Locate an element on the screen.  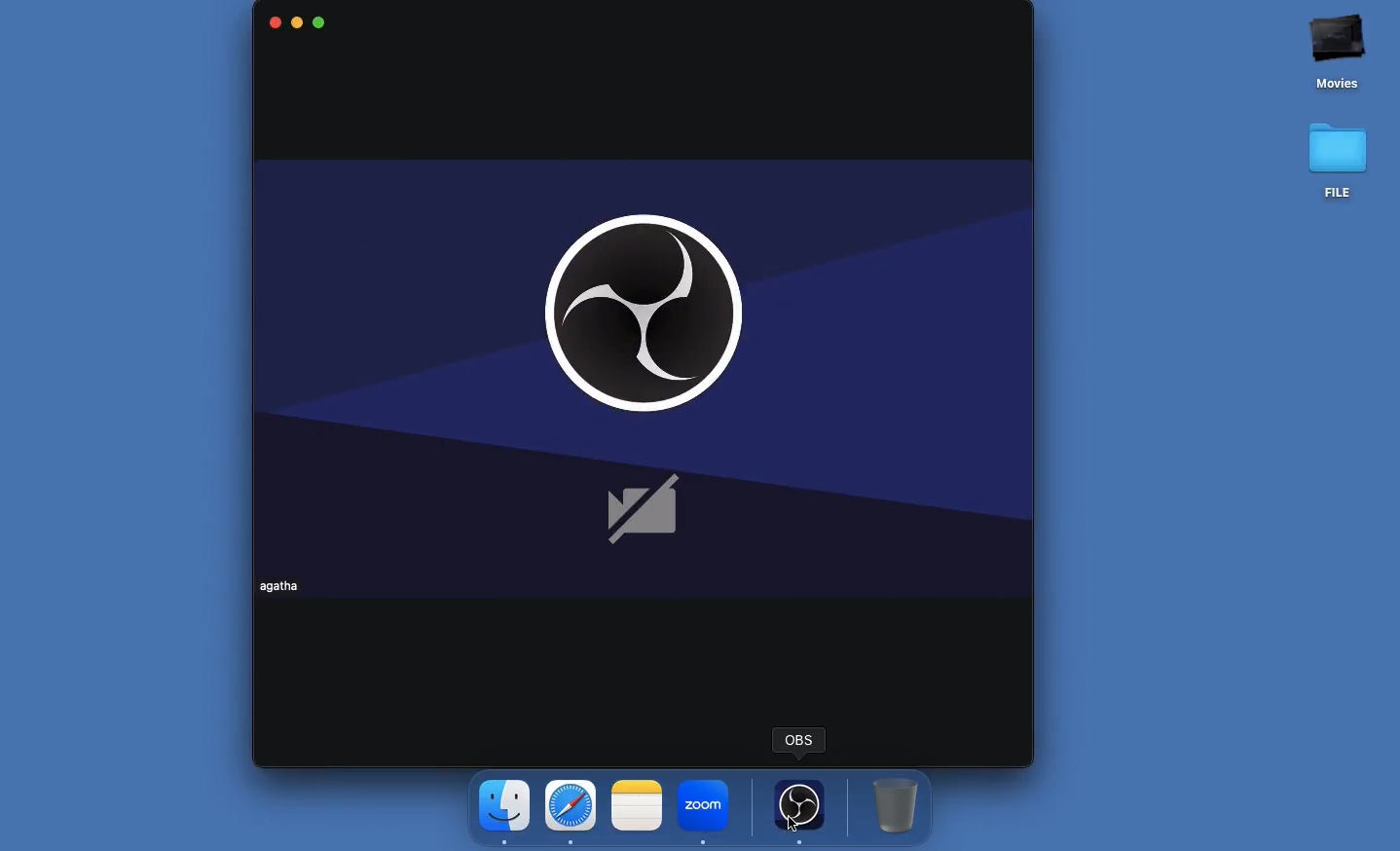
Finder is located at coordinates (505, 810).